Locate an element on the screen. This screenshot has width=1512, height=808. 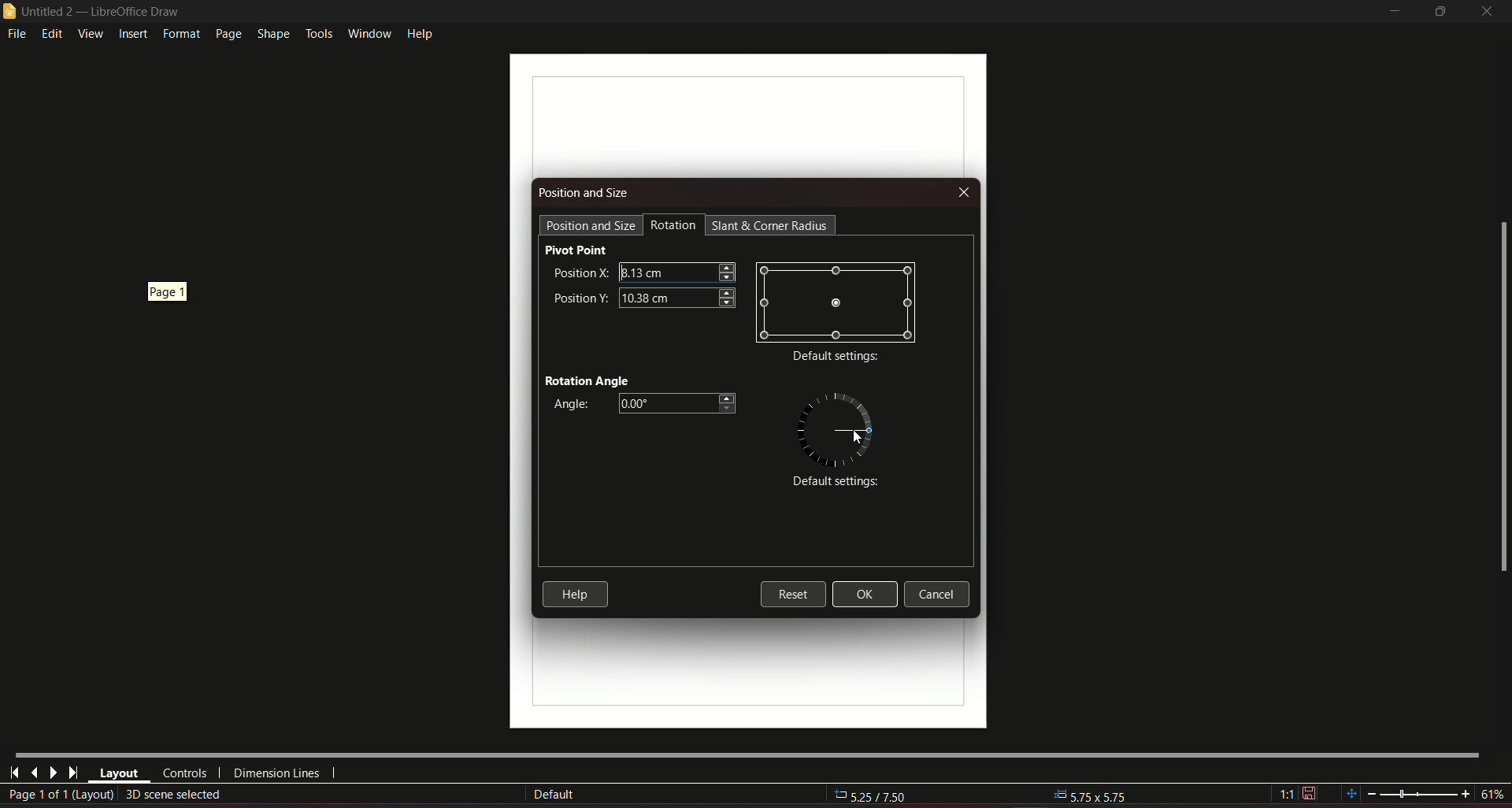
1:1 is located at coordinates (1298, 794).